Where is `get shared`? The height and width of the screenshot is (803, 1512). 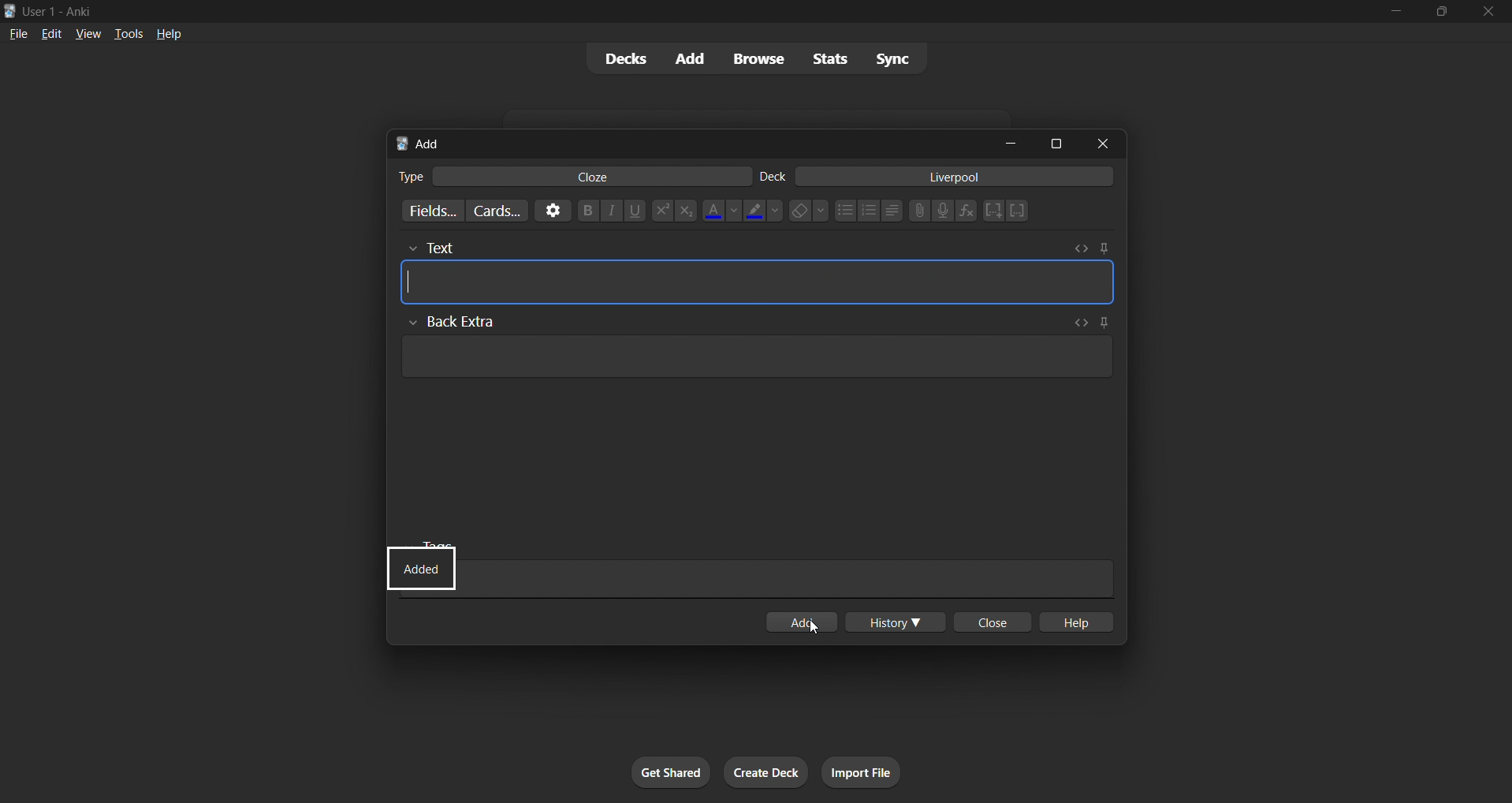 get shared is located at coordinates (672, 771).